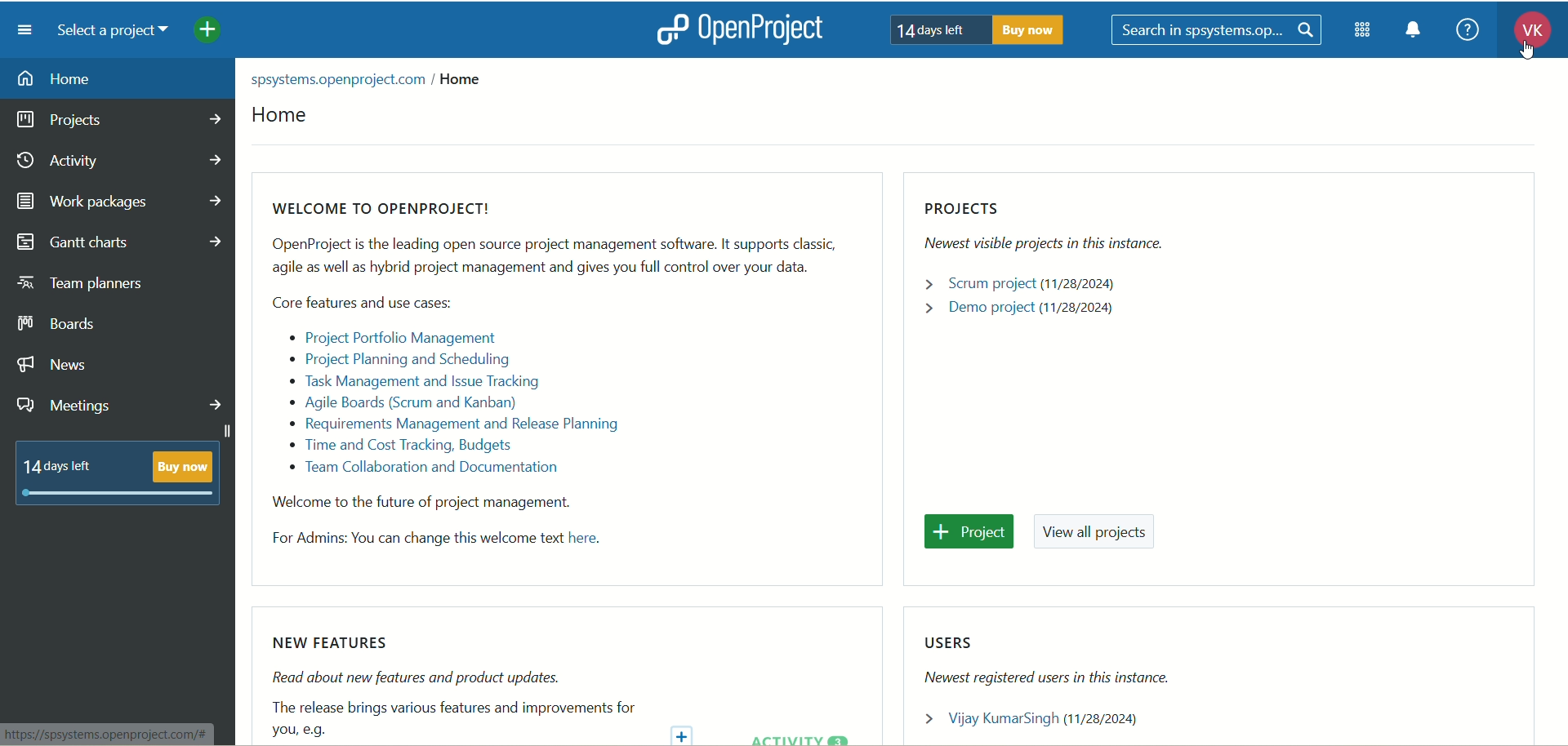 The image size is (1568, 746). I want to click on add, so click(685, 732).